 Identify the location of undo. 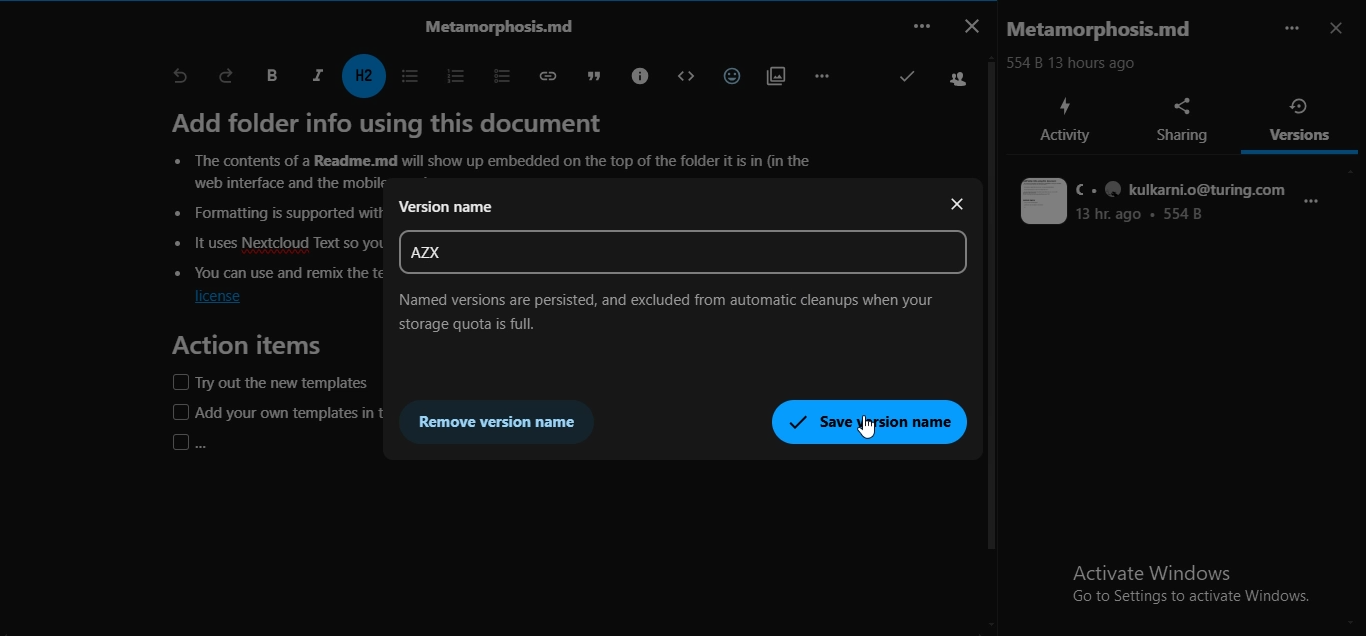
(180, 77).